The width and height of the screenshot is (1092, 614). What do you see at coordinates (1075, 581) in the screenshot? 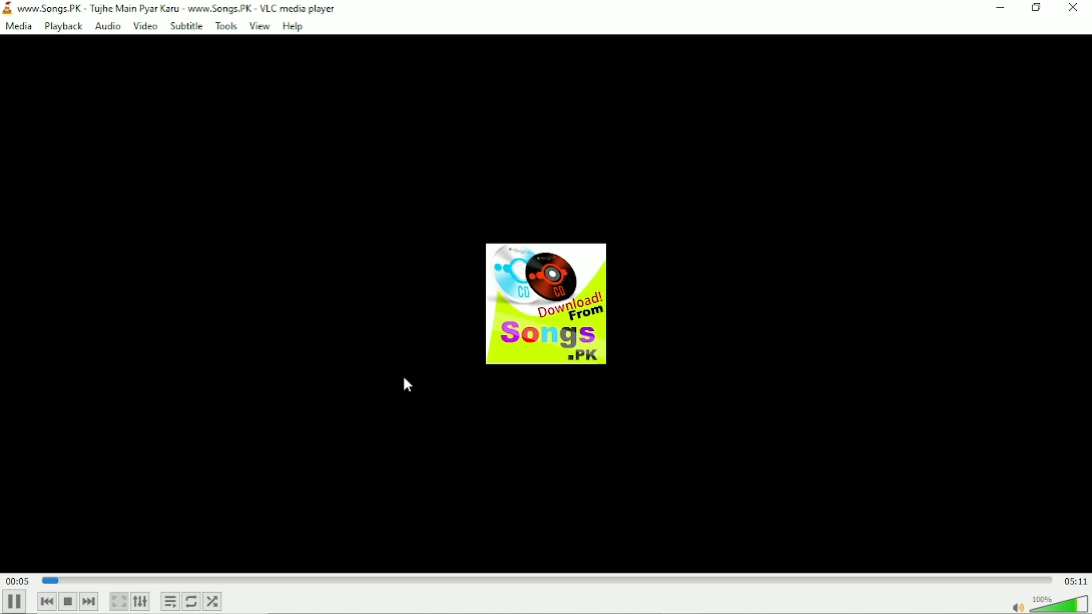
I see `Total duration` at bounding box center [1075, 581].